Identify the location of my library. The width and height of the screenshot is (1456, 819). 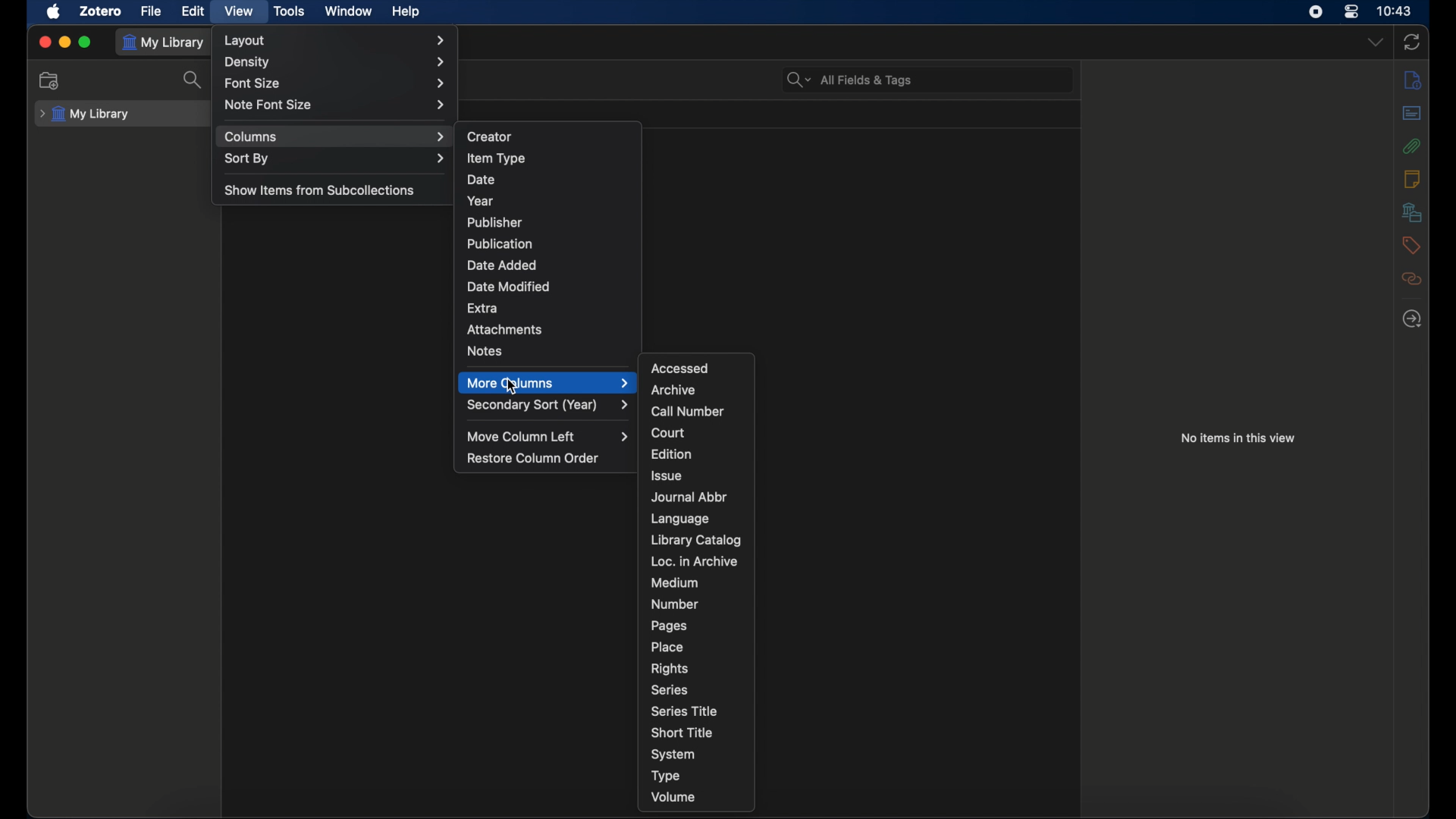
(85, 115).